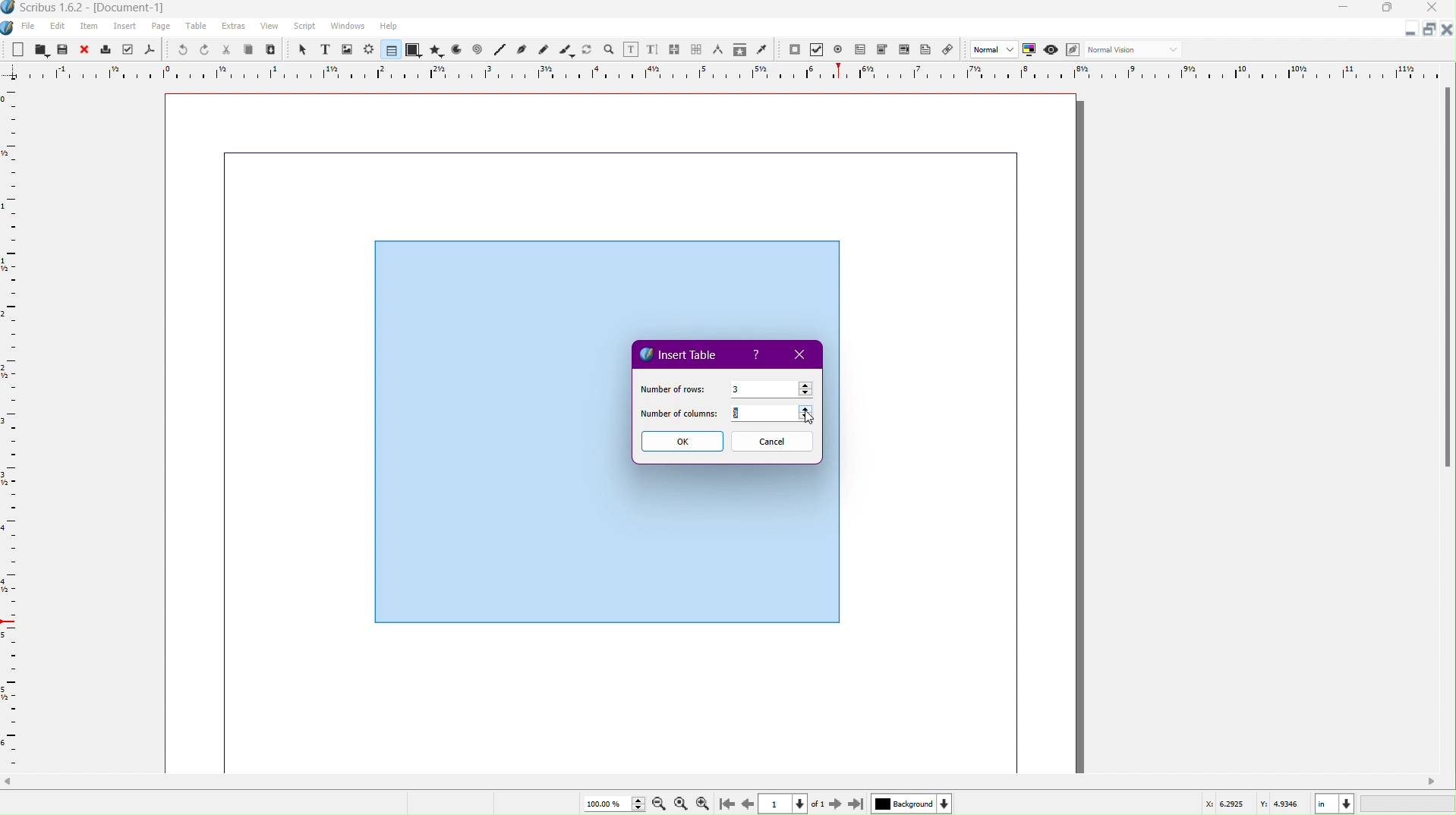 The image size is (1456, 815). What do you see at coordinates (456, 51) in the screenshot?
I see `Arc` at bounding box center [456, 51].